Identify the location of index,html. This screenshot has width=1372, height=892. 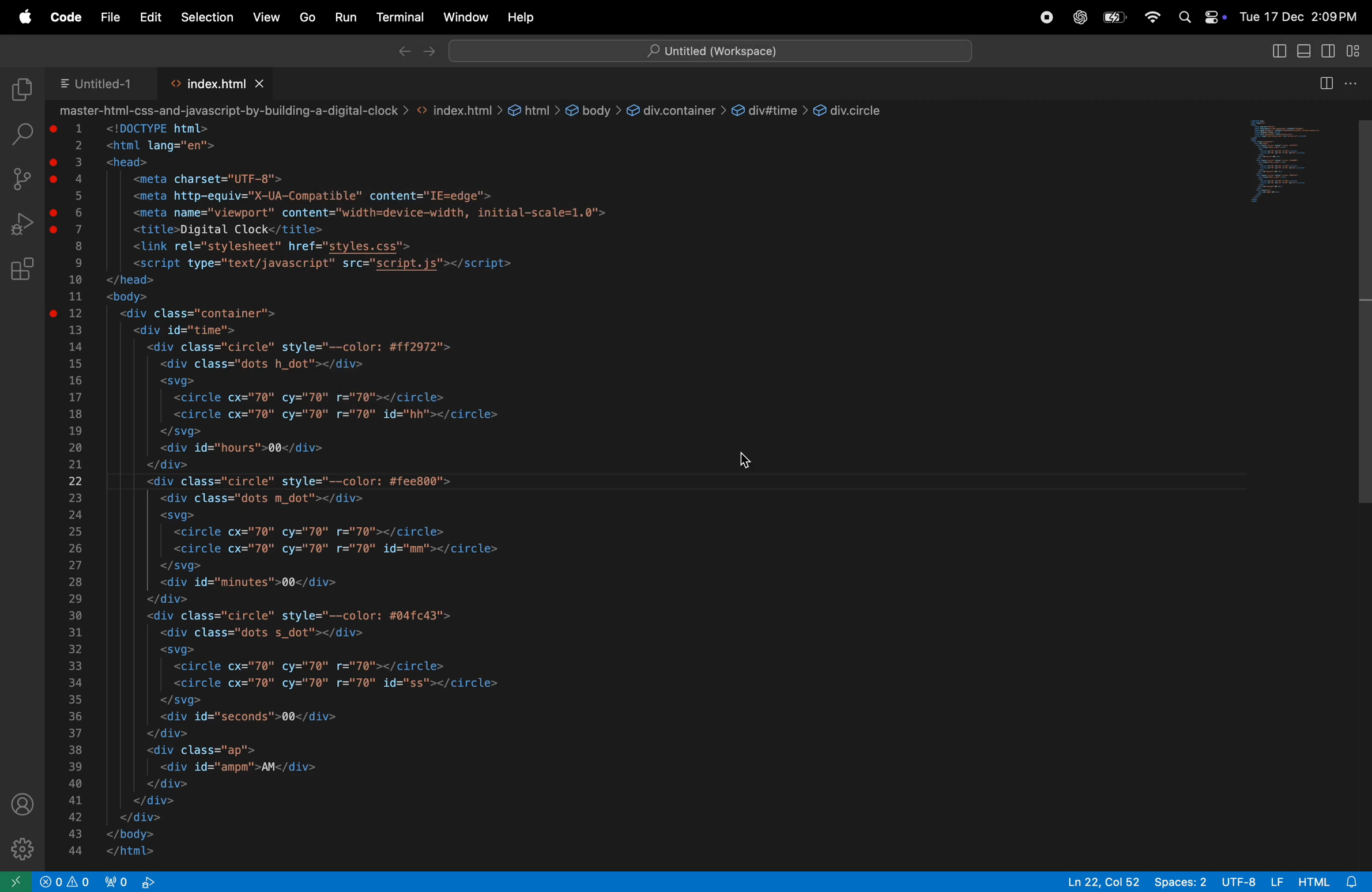
(205, 82).